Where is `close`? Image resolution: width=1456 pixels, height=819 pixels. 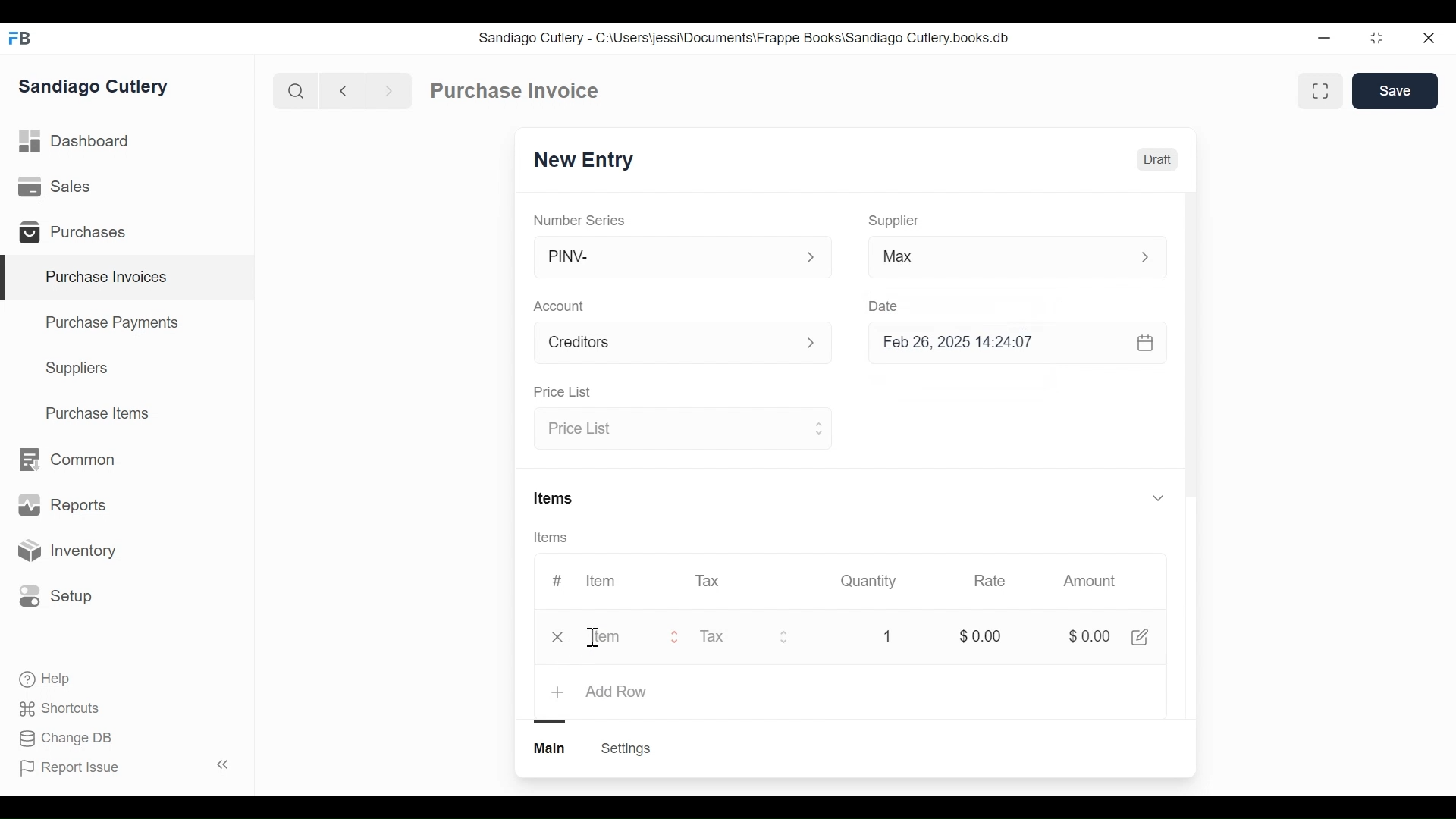
close is located at coordinates (561, 637).